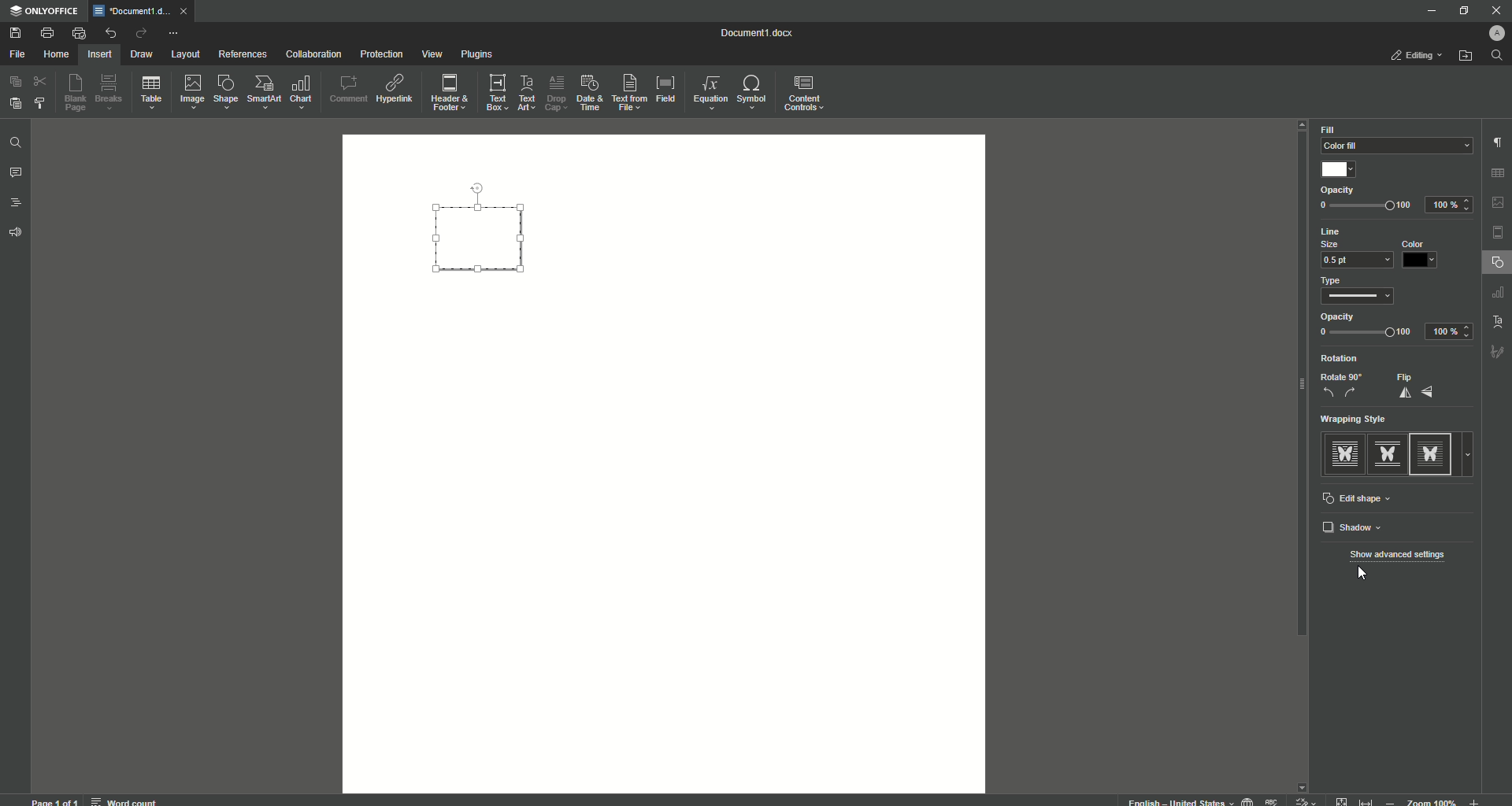 The width and height of the screenshot is (1512, 806). I want to click on Plugins, so click(478, 55).